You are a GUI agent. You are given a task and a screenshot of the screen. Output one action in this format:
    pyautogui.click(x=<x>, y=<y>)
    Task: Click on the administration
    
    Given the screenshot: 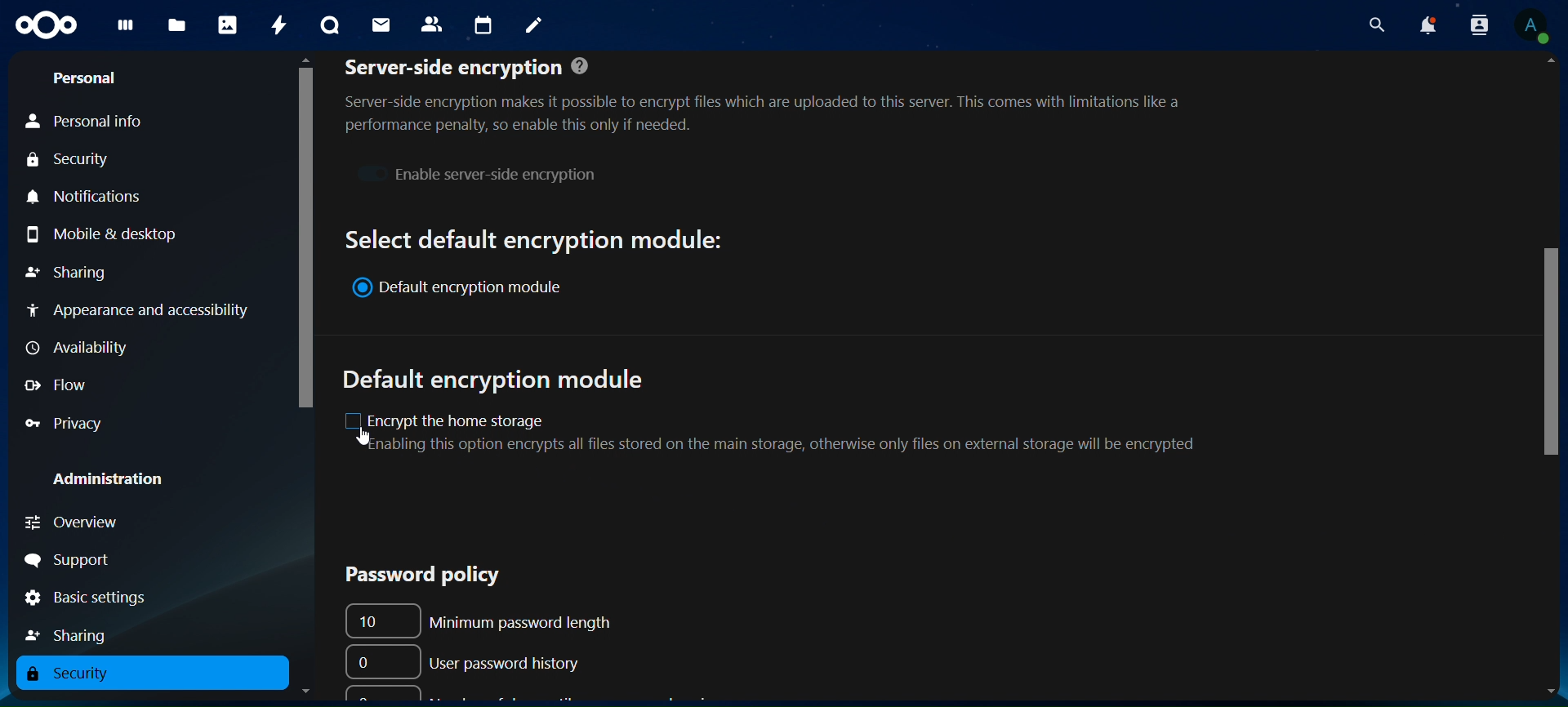 What is the action you would take?
    pyautogui.click(x=121, y=481)
    